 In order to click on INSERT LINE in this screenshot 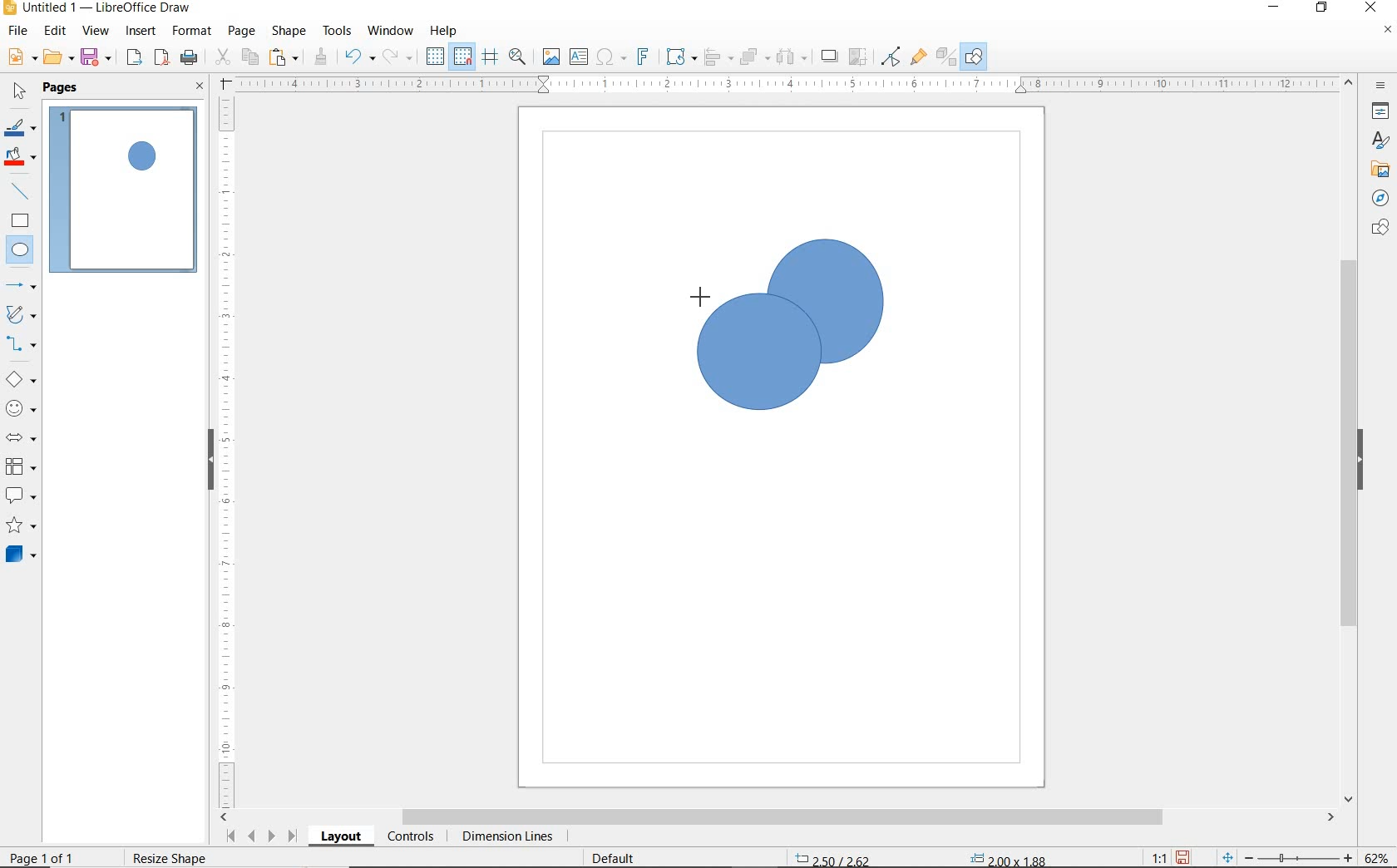, I will do `click(22, 191)`.